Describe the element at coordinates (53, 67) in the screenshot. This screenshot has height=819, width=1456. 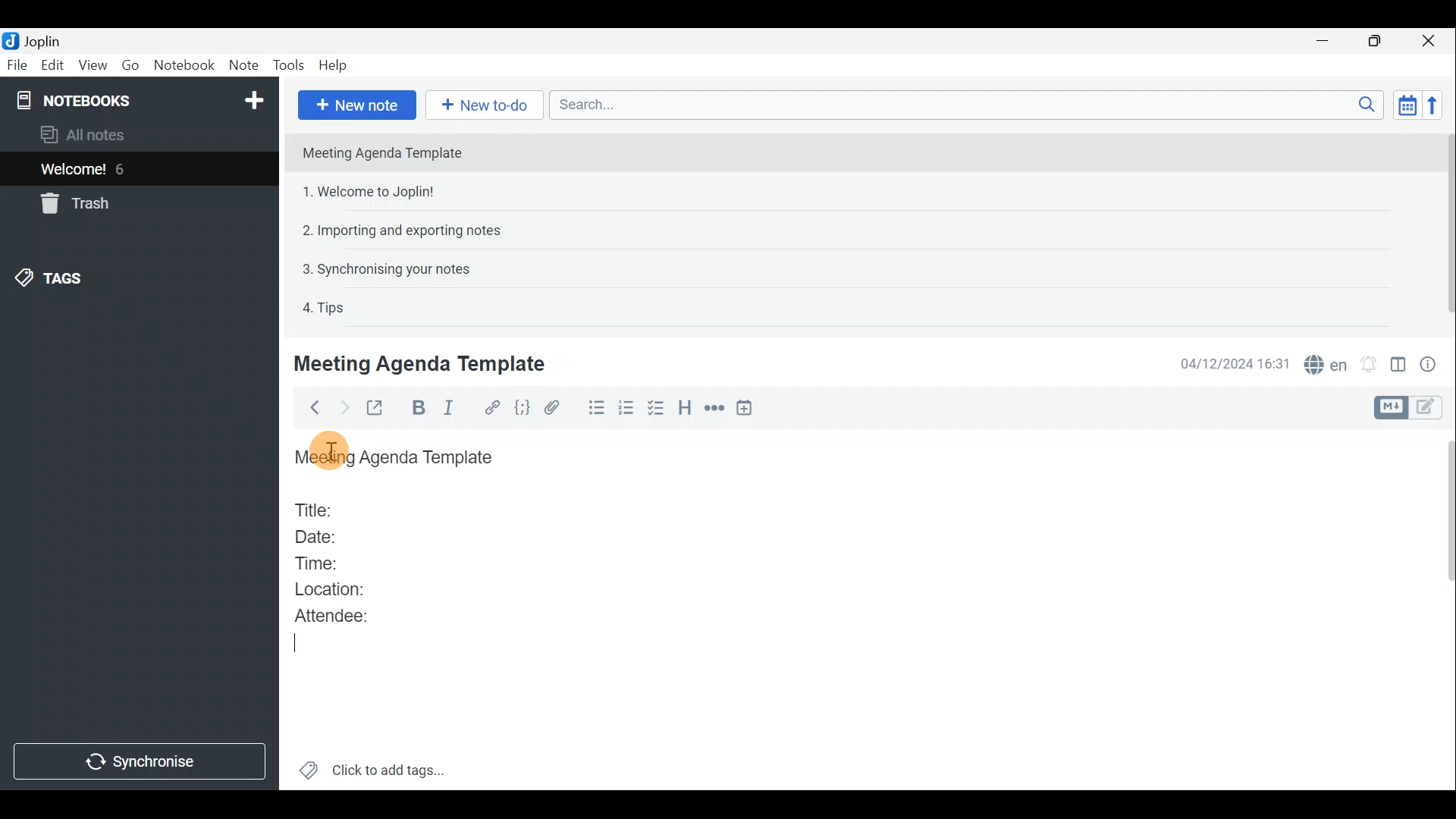
I see `Edit` at that location.